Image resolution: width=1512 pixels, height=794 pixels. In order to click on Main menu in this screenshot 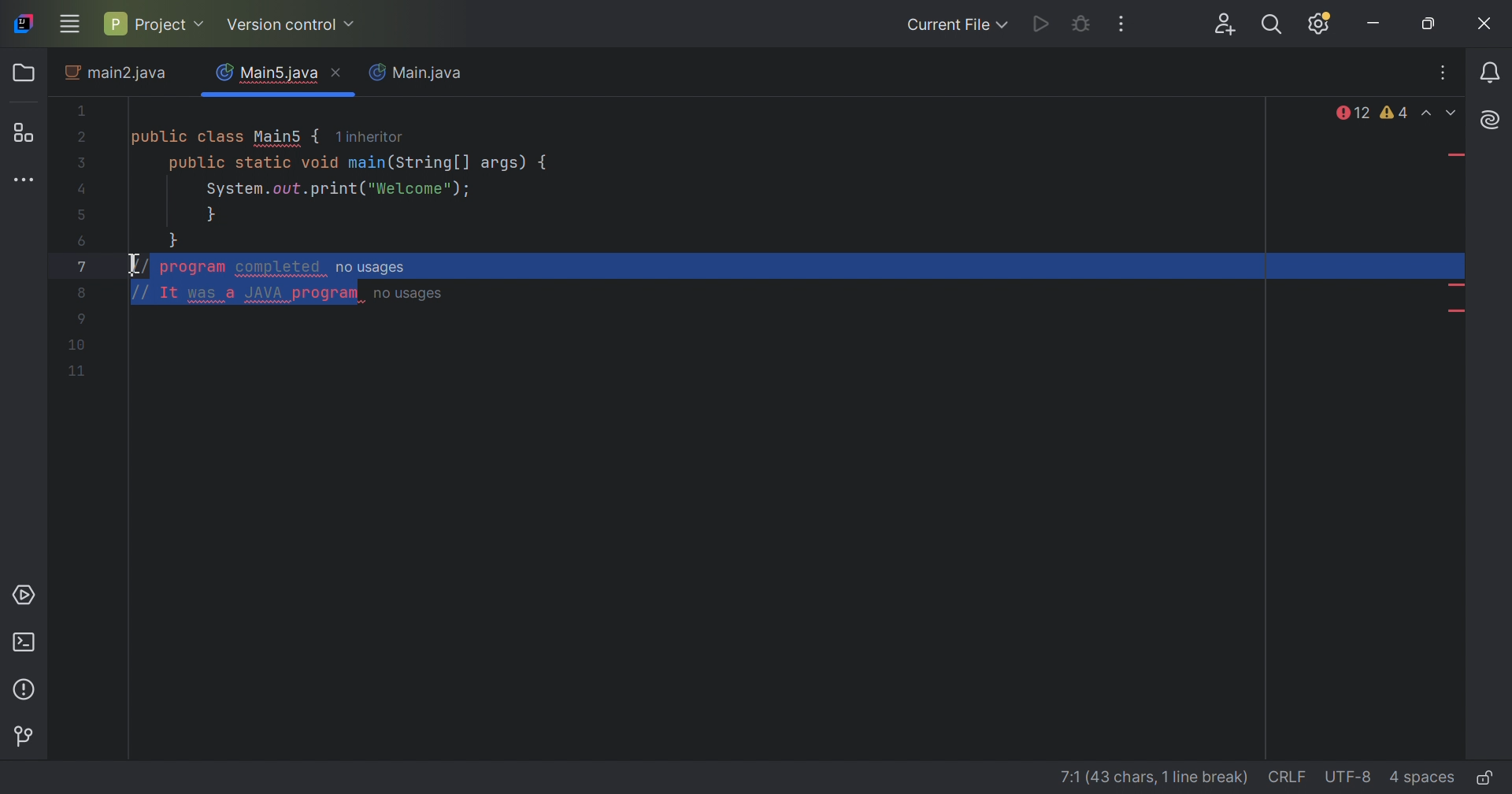, I will do `click(70, 24)`.